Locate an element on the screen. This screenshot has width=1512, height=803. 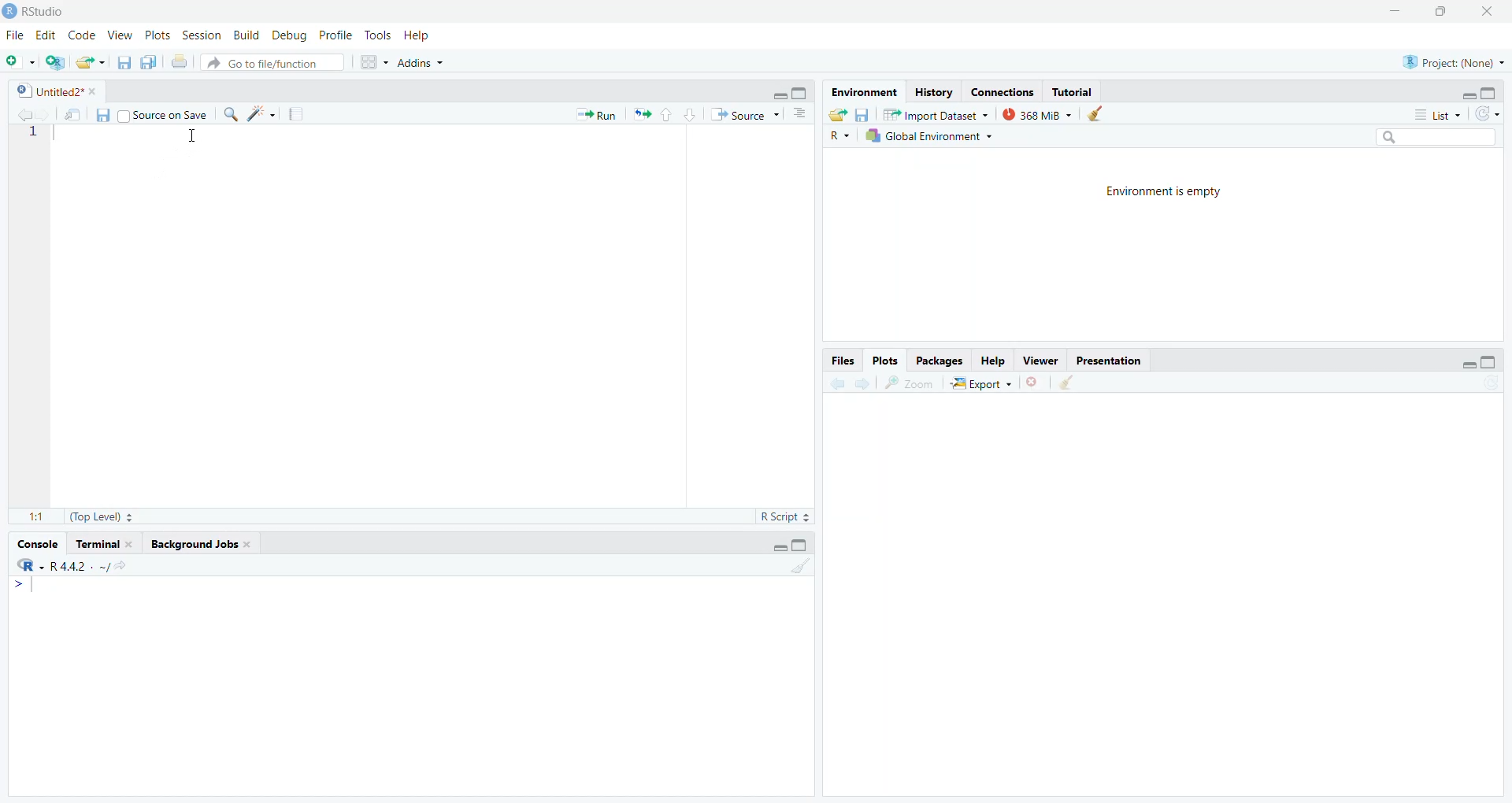
minimise is located at coordinates (772, 547).